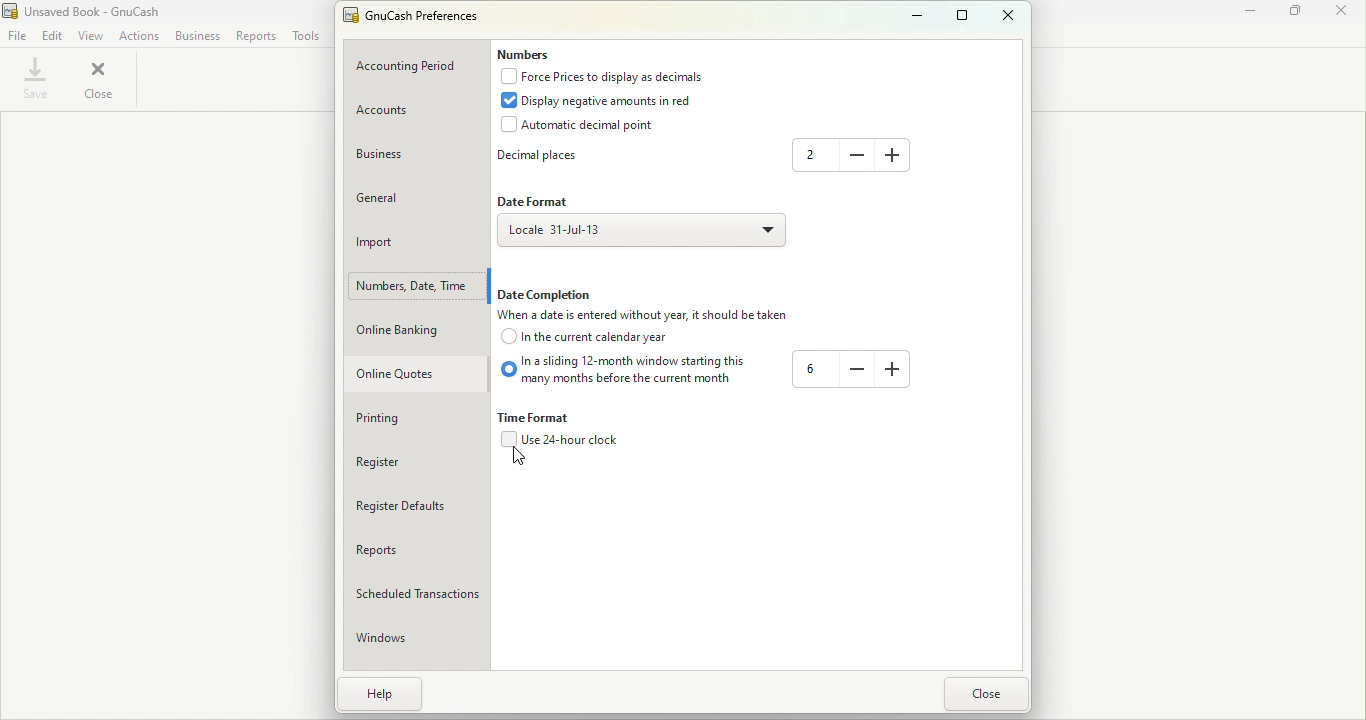  Describe the element at coordinates (405, 418) in the screenshot. I see `Printing` at that location.